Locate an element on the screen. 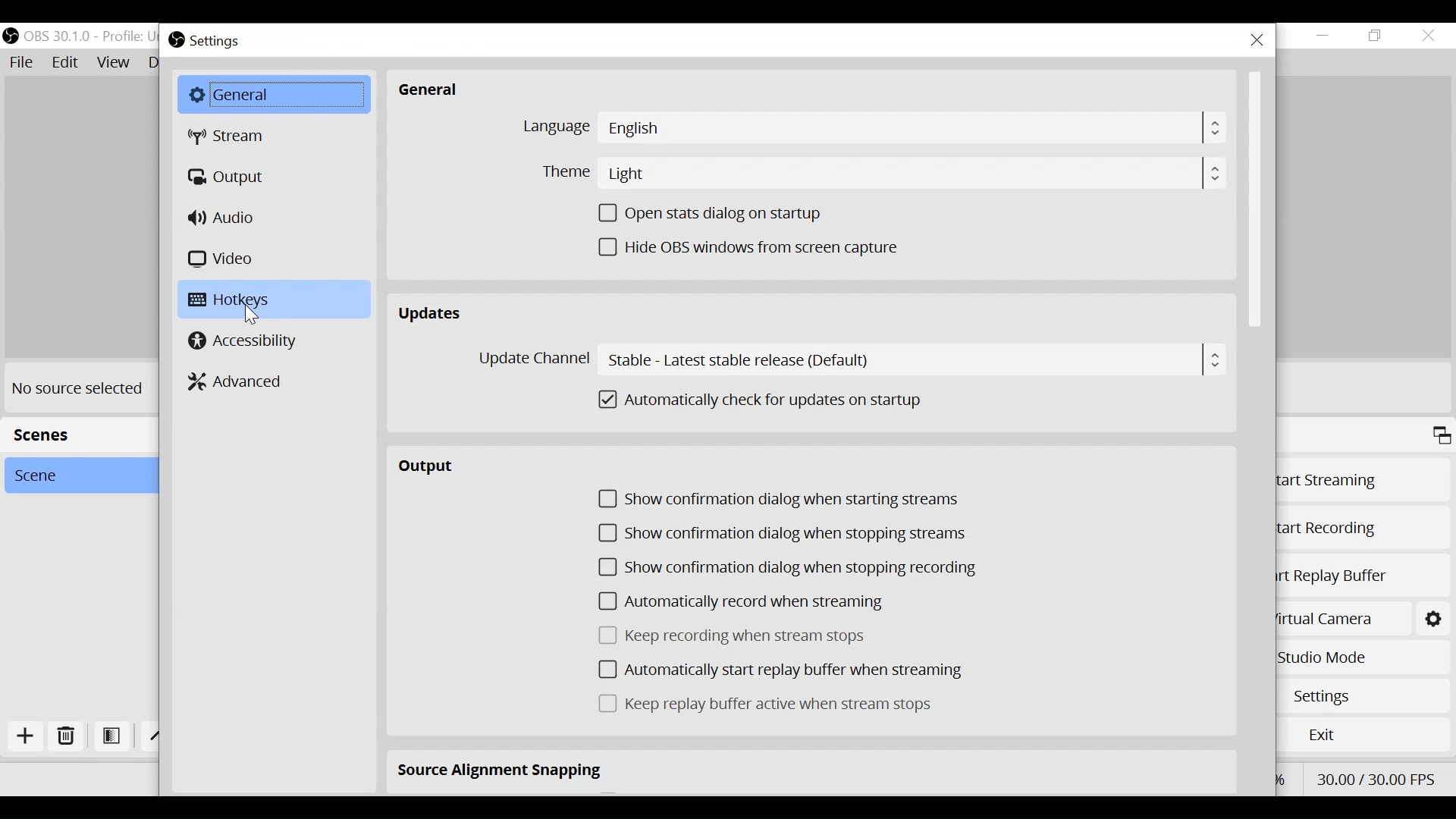 This screenshot has width=1456, height=819. (un)Check Automatically start replay buffer wen streaming is located at coordinates (780, 670).